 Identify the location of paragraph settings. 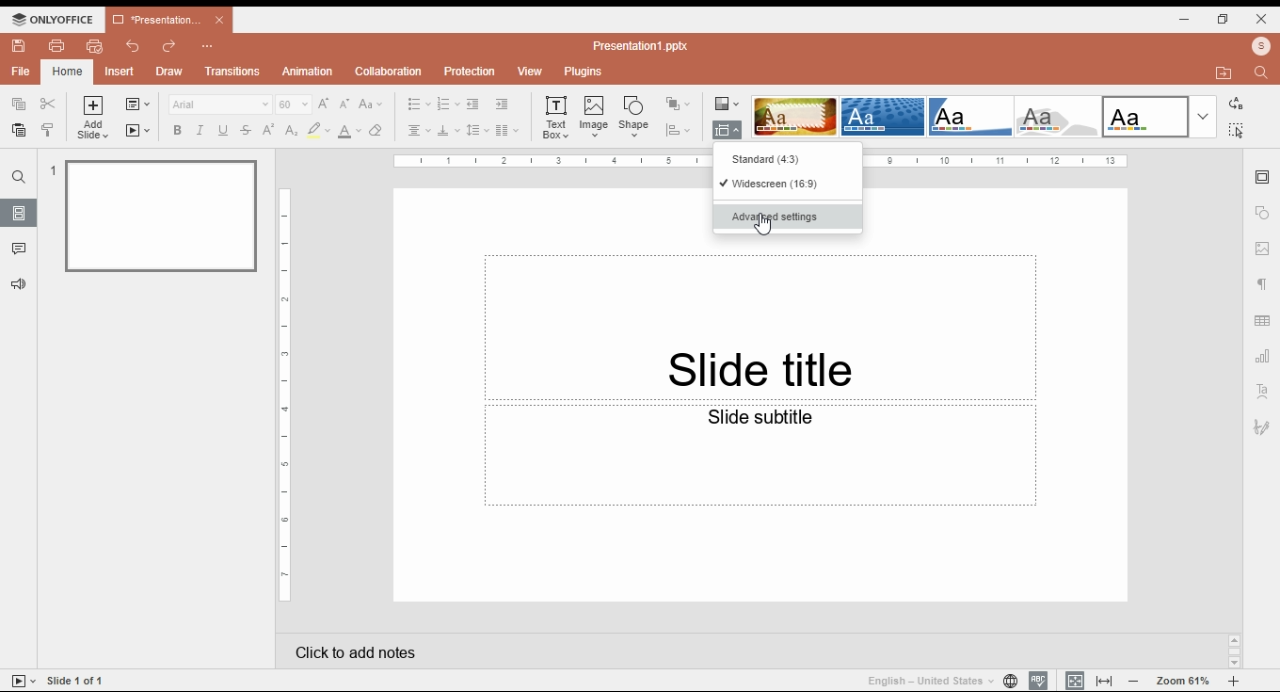
(1265, 287).